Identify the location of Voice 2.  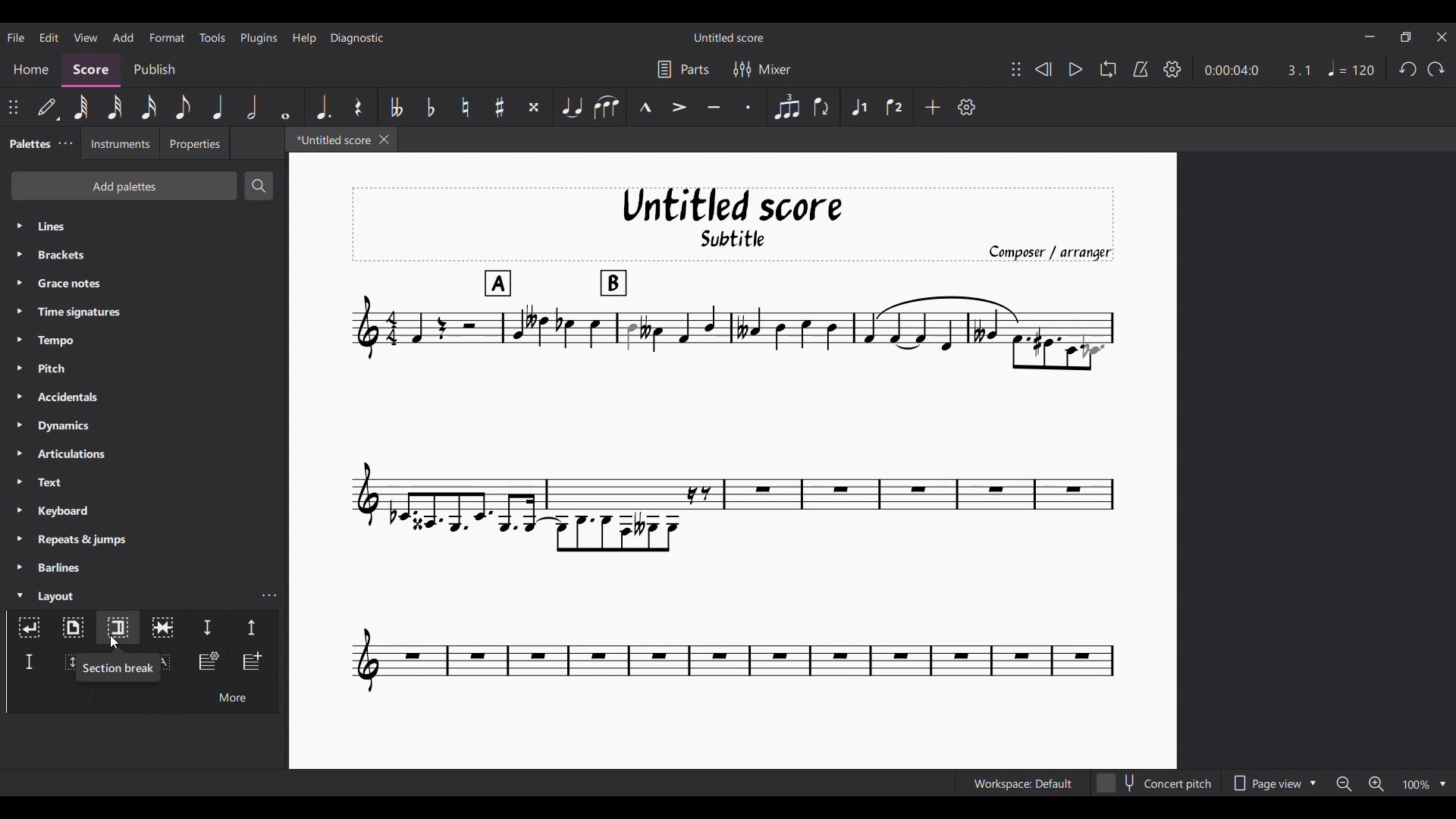
(895, 107).